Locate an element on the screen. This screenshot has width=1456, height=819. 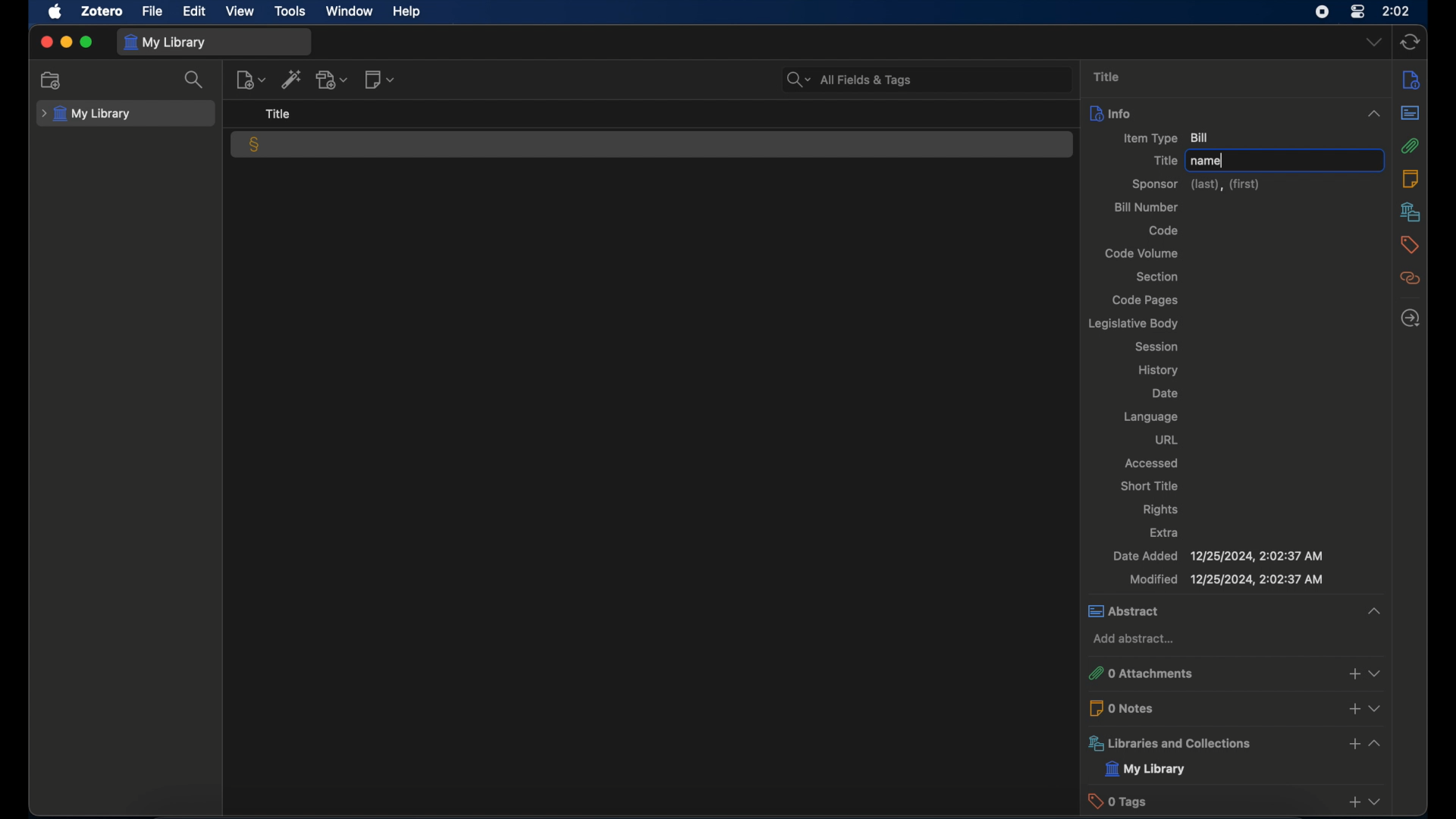
minimize is located at coordinates (68, 42).